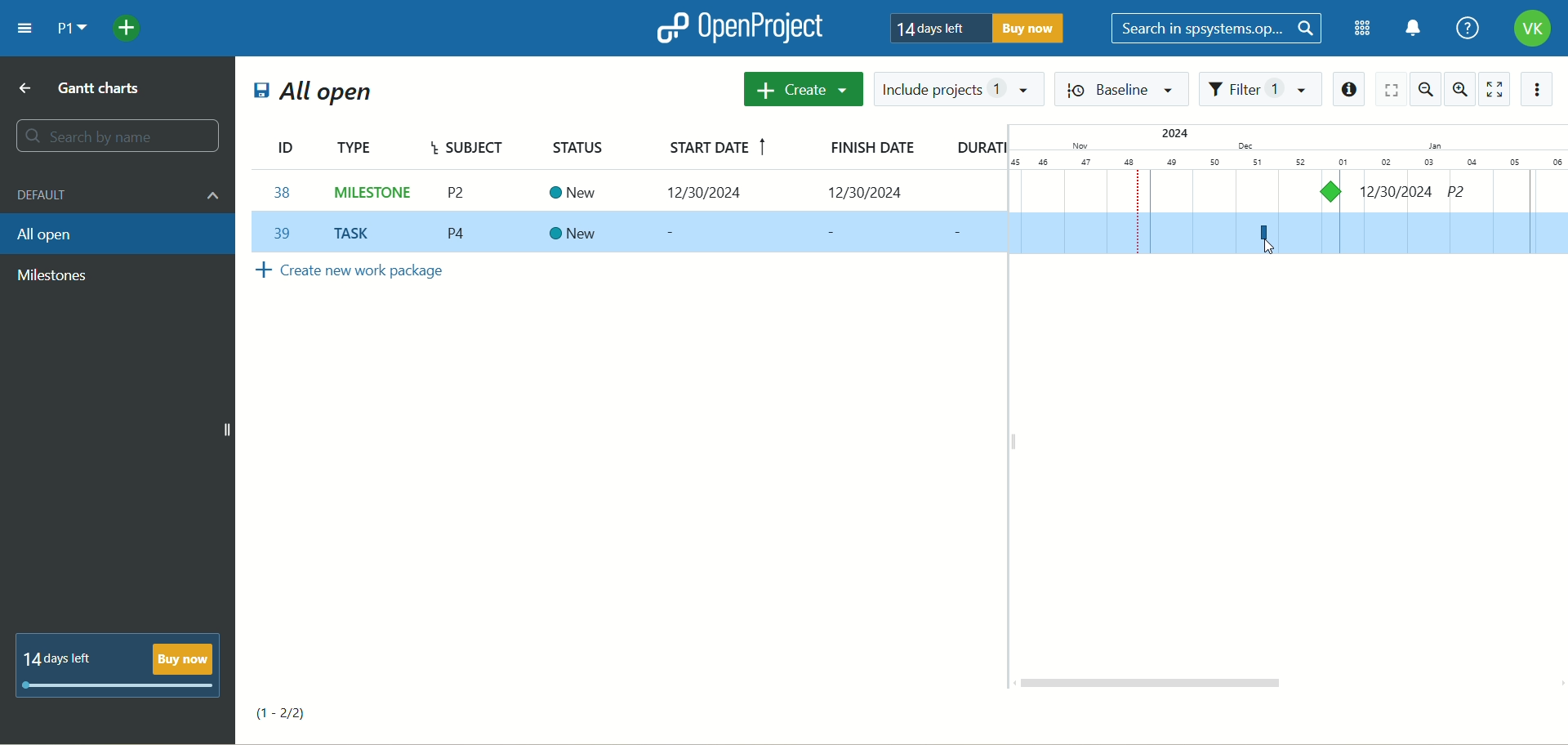 This screenshot has height=745, width=1568. I want to click on finish date, so click(878, 150).